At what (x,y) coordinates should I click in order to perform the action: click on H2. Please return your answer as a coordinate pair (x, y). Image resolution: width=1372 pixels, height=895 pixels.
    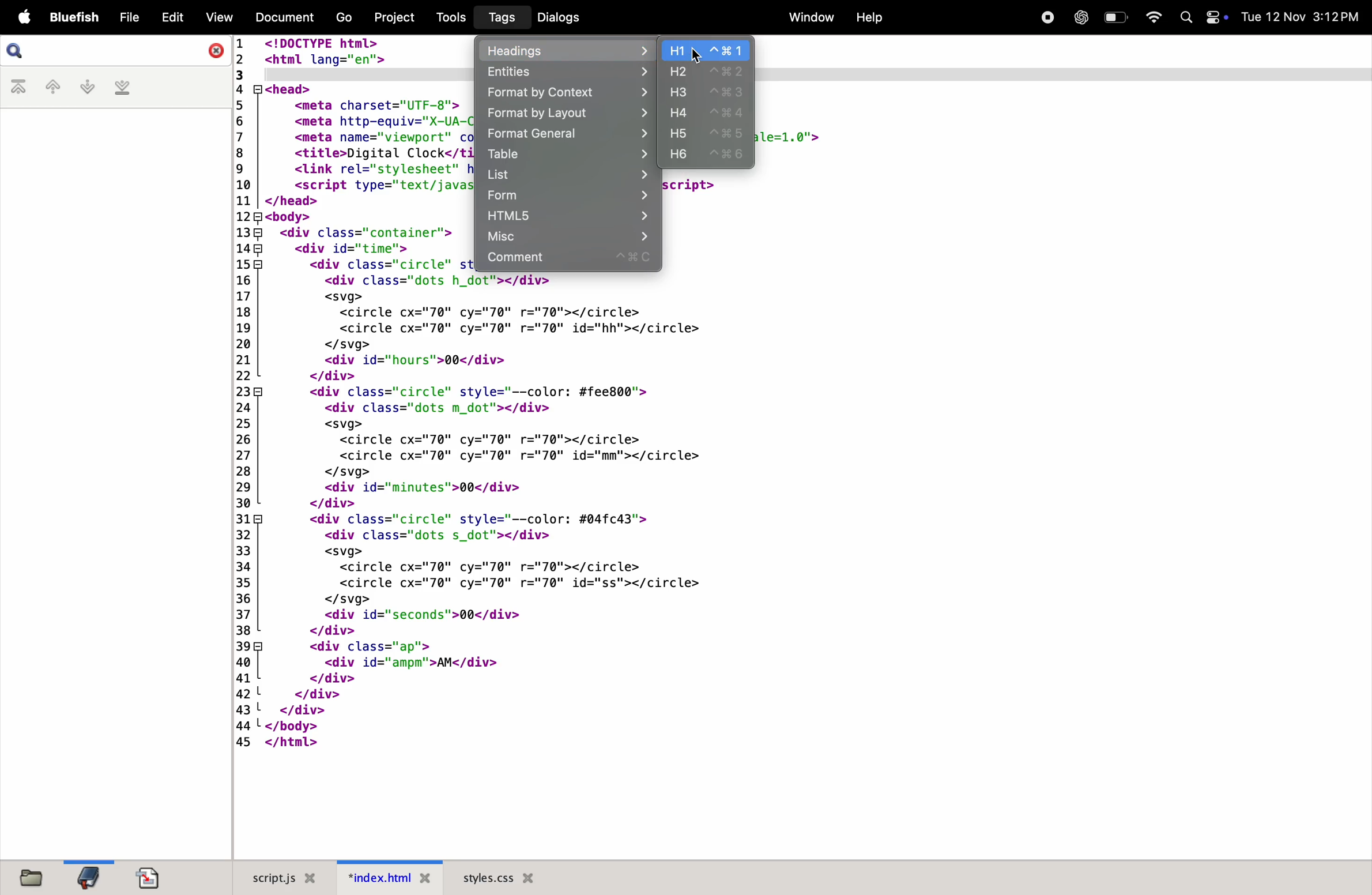
    Looking at the image, I should click on (707, 72).